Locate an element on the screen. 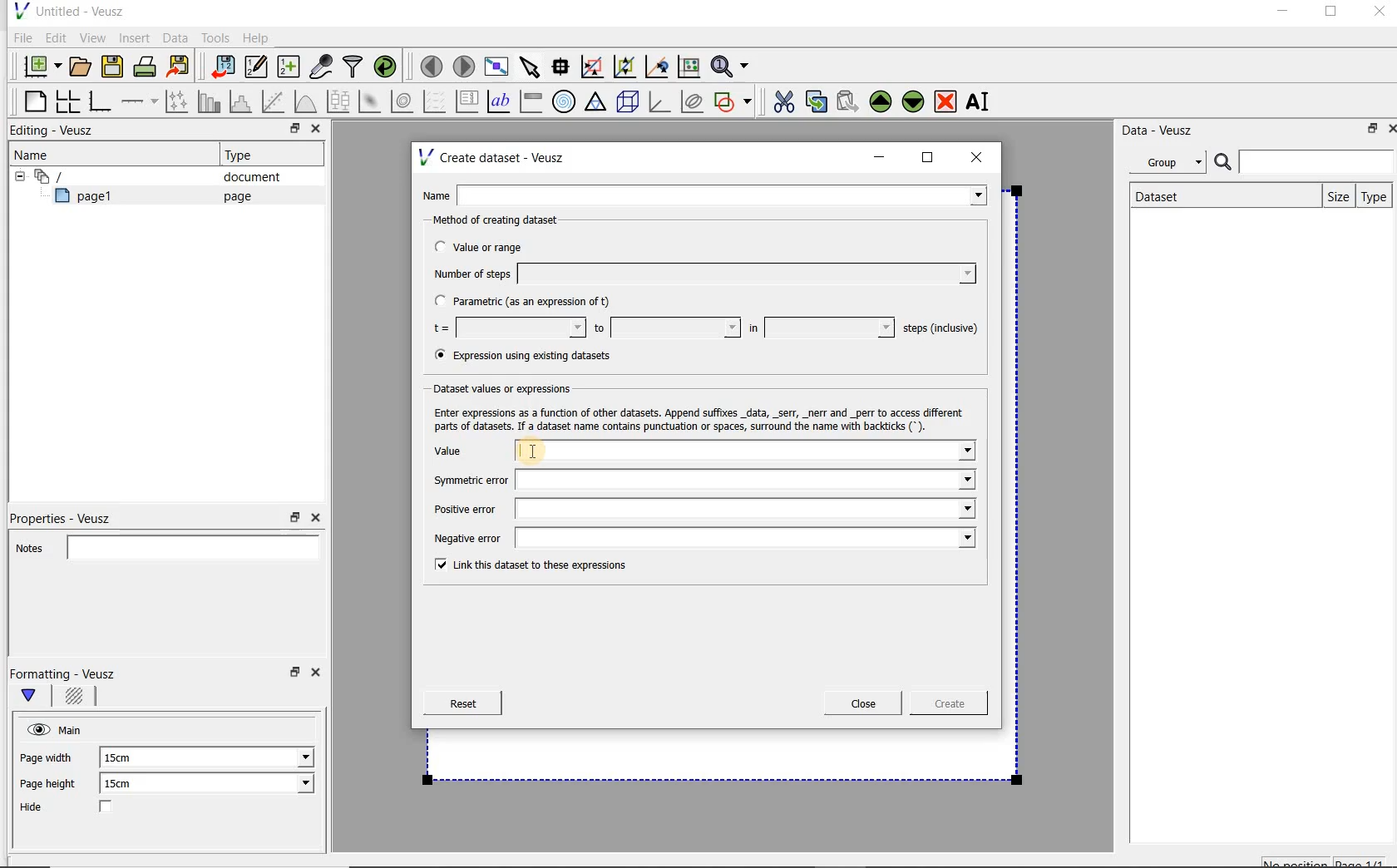  plot covariance ellipses is located at coordinates (693, 101).